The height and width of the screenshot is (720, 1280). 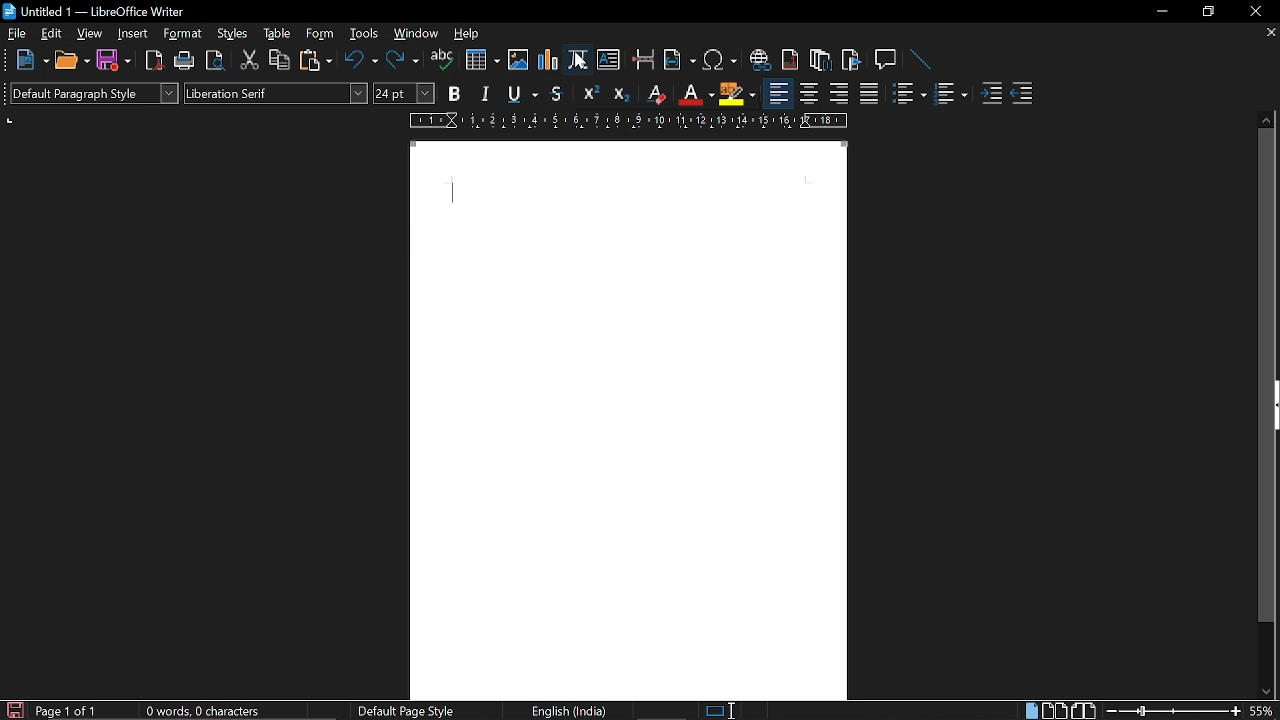 What do you see at coordinates (760, 58) in the screenshot?
I see `insert hyperlink` at bounding box center [760, 58].